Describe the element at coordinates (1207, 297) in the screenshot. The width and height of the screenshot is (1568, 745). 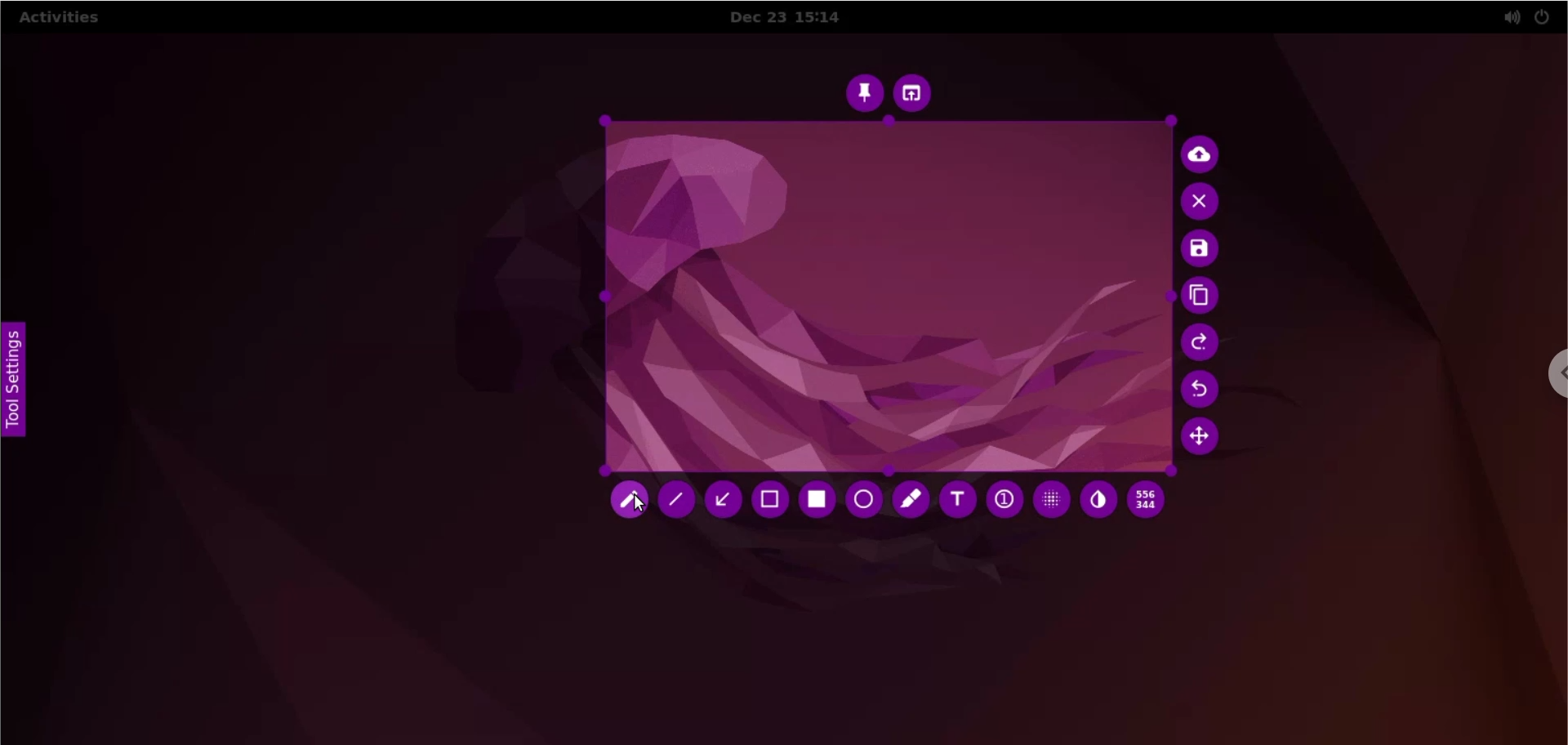
I see `copy to clipboard` at that location.